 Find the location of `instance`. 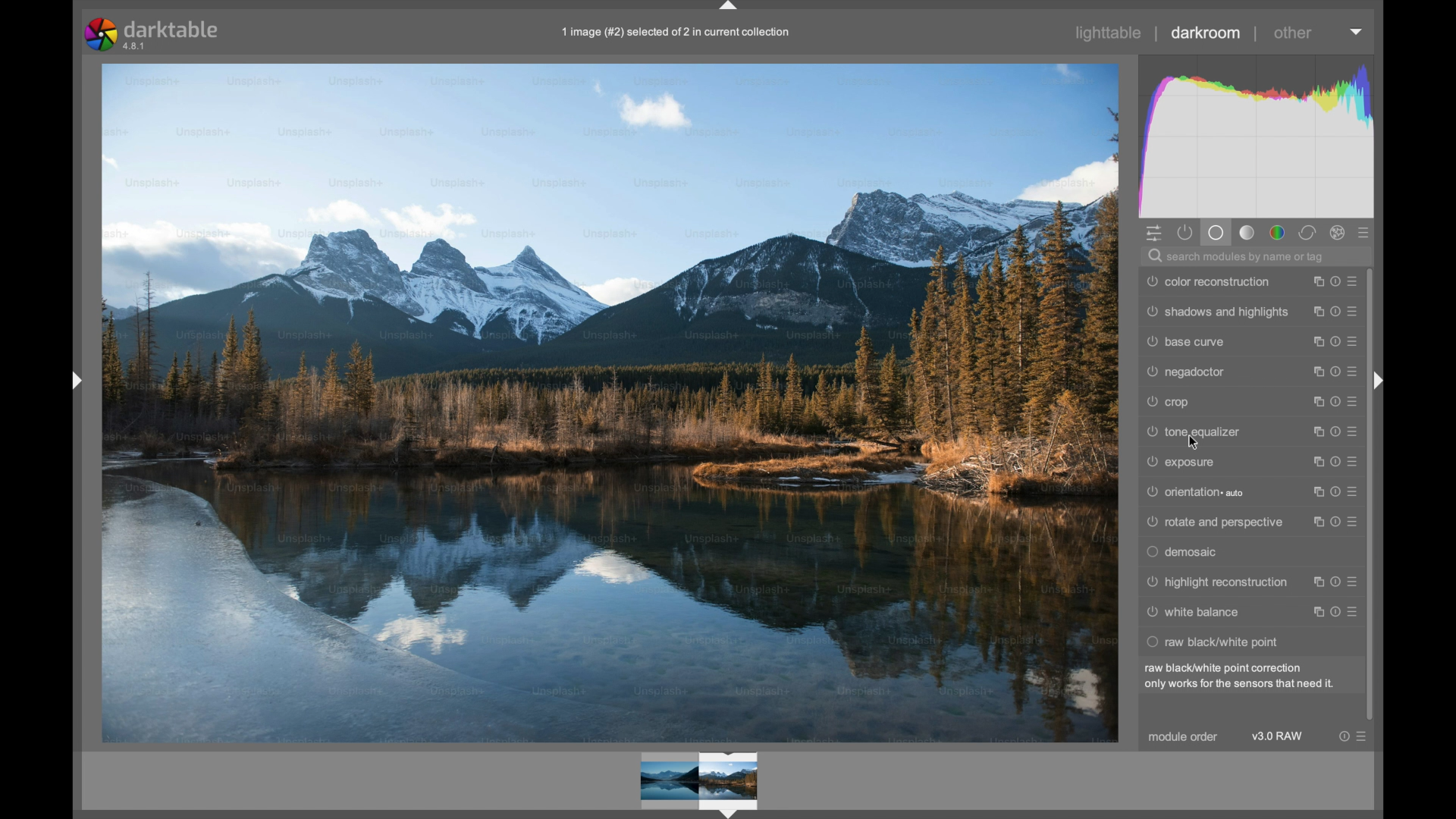

instance is located at coordinates (1316, 341).